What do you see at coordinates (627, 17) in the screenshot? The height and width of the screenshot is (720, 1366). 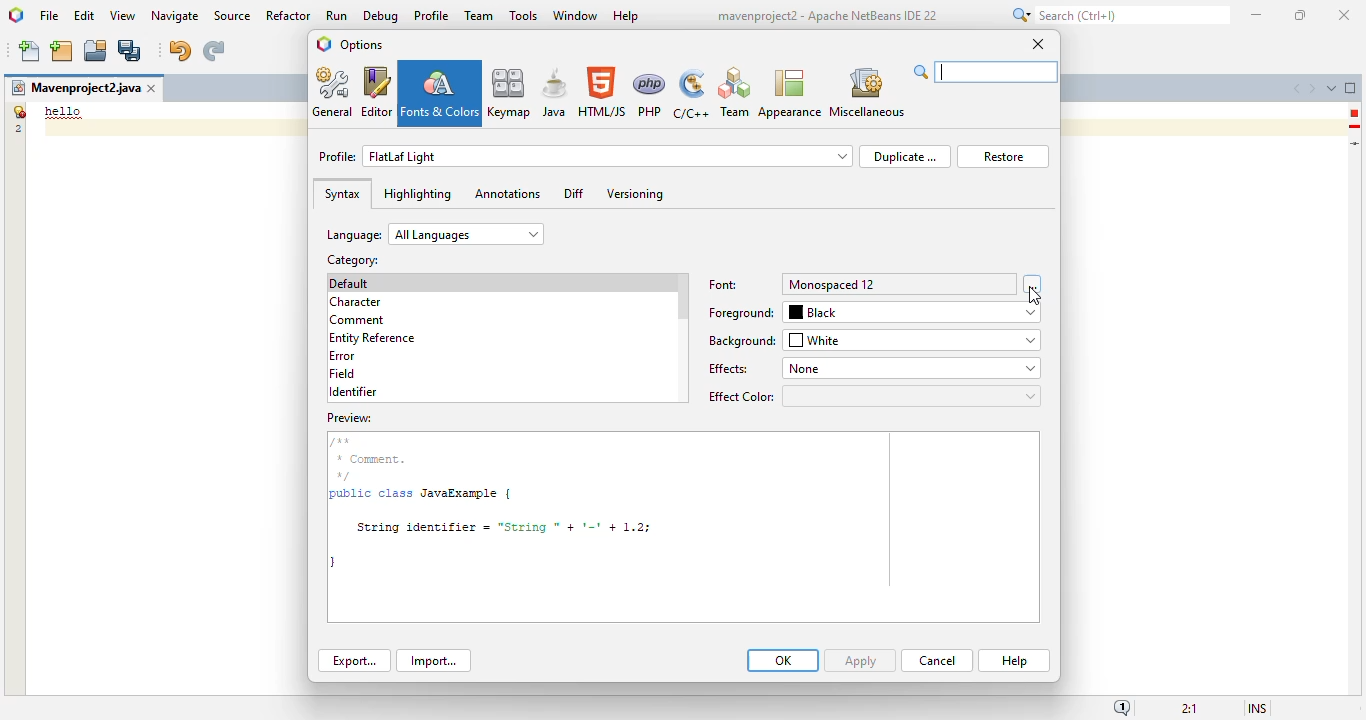 I see `help` at bounding box center [627, 17].